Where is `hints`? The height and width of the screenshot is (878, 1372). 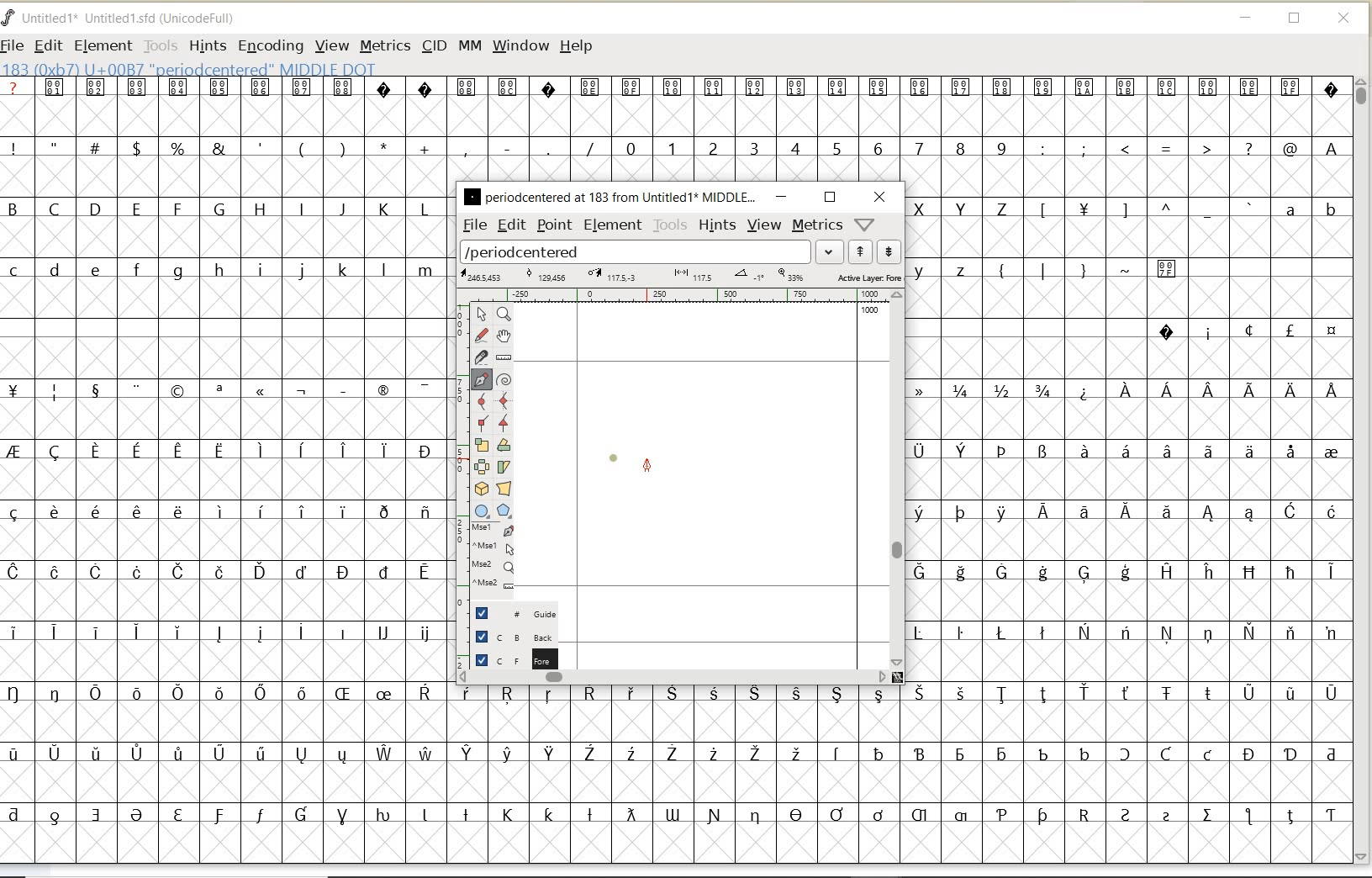
hints is located at coordinates (718, 225).